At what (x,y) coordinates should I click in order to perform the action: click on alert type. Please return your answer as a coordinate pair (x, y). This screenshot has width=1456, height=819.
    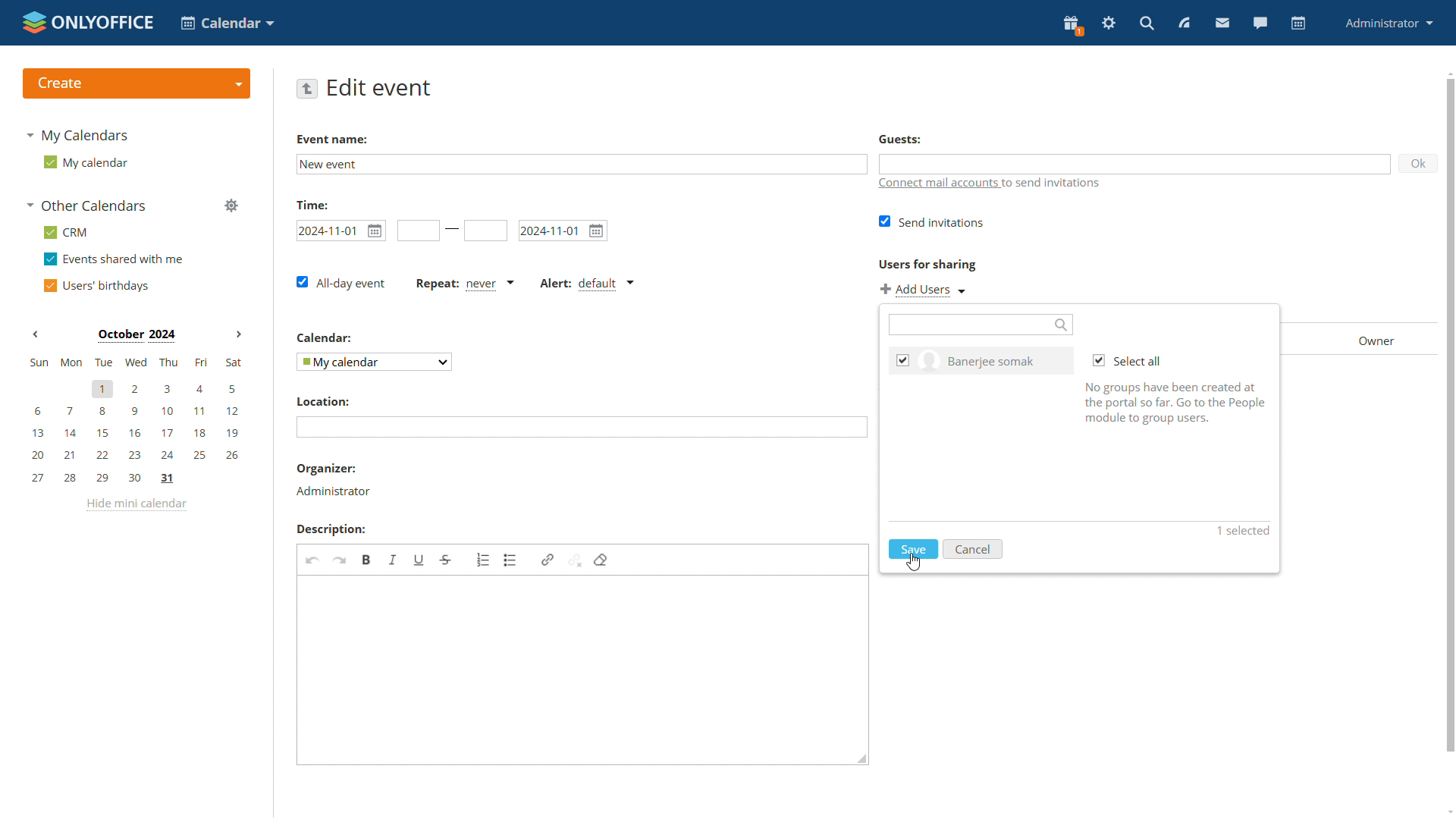
    Looking at the image, I should click on (587, 284).